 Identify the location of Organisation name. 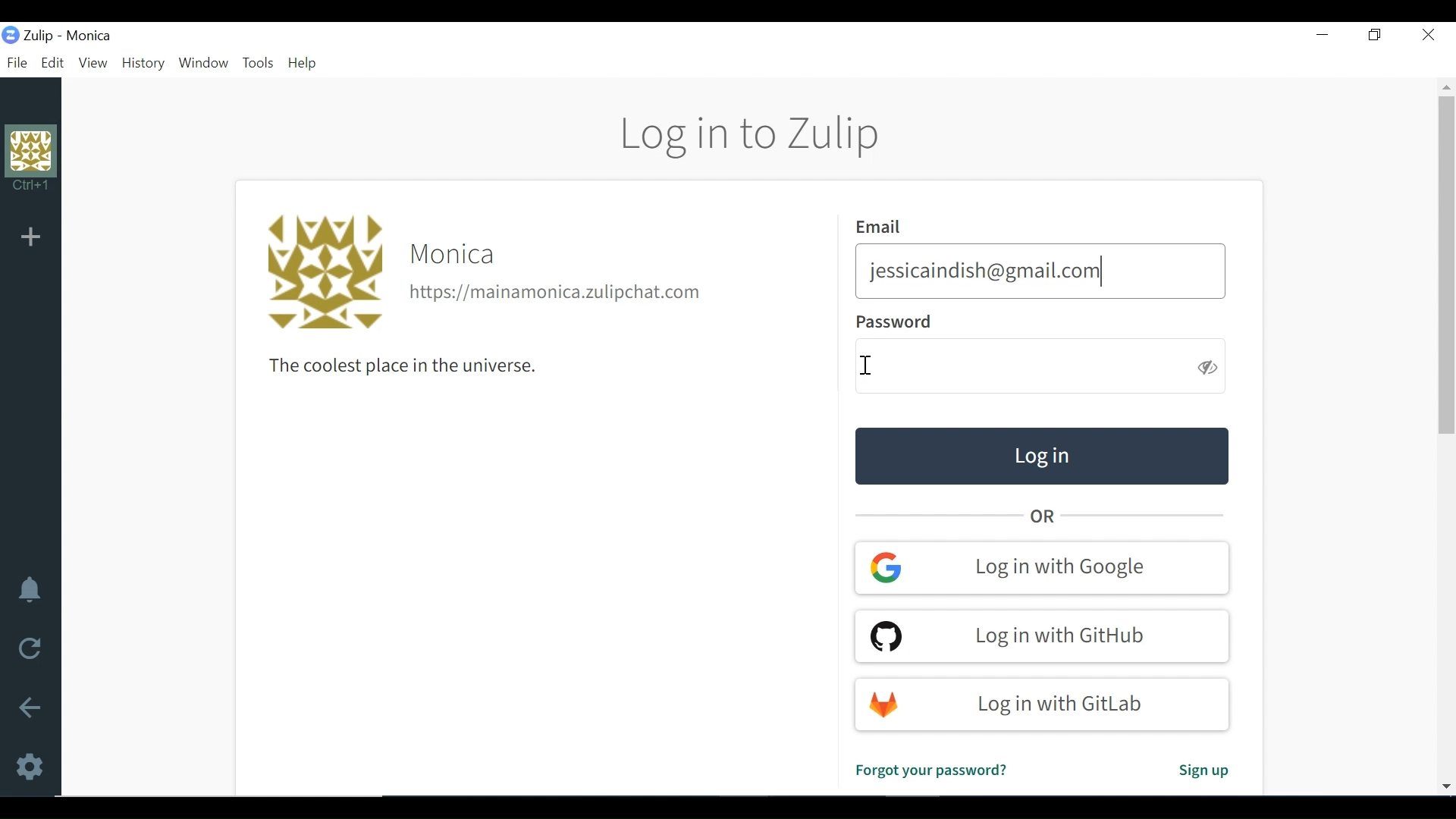
(89, 36).